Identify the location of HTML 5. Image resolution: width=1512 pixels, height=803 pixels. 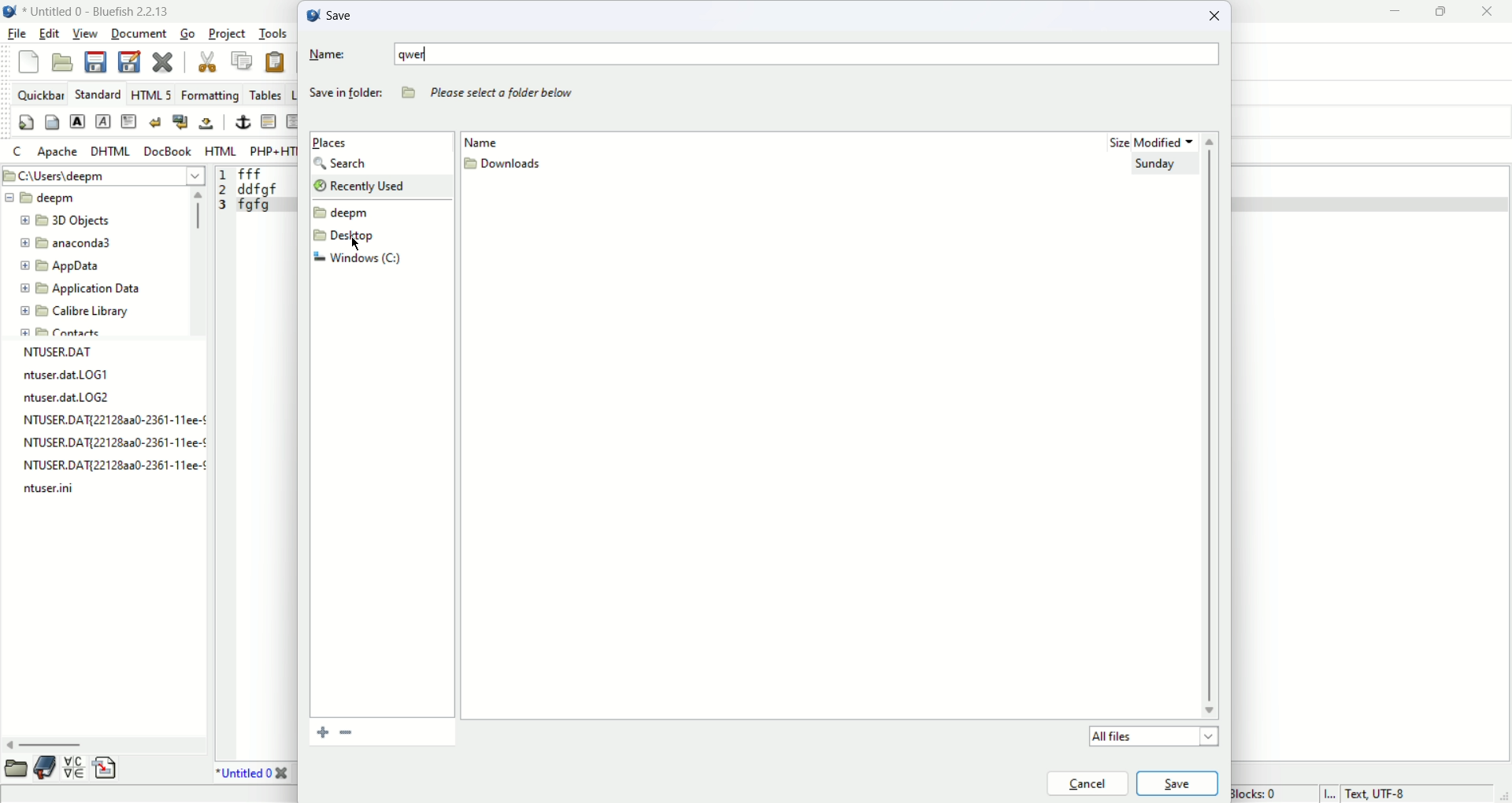
(154, 94).